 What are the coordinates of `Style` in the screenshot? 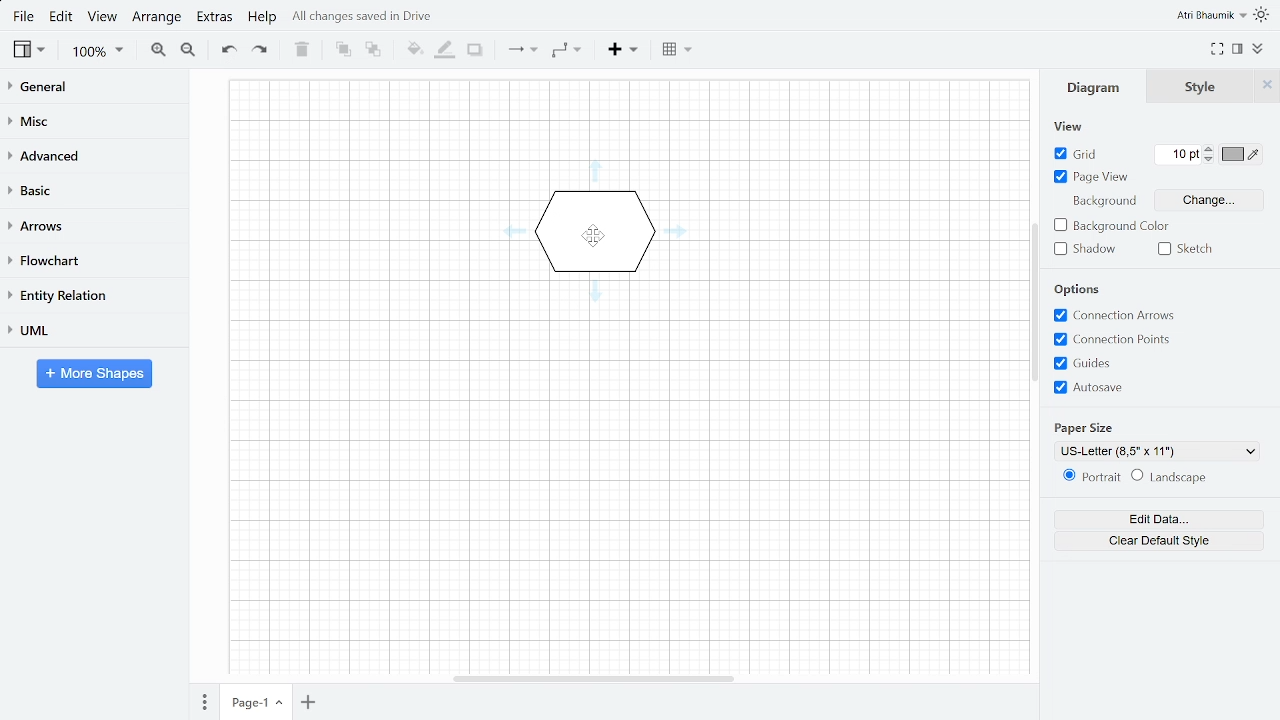 It's located at (1200, 86).